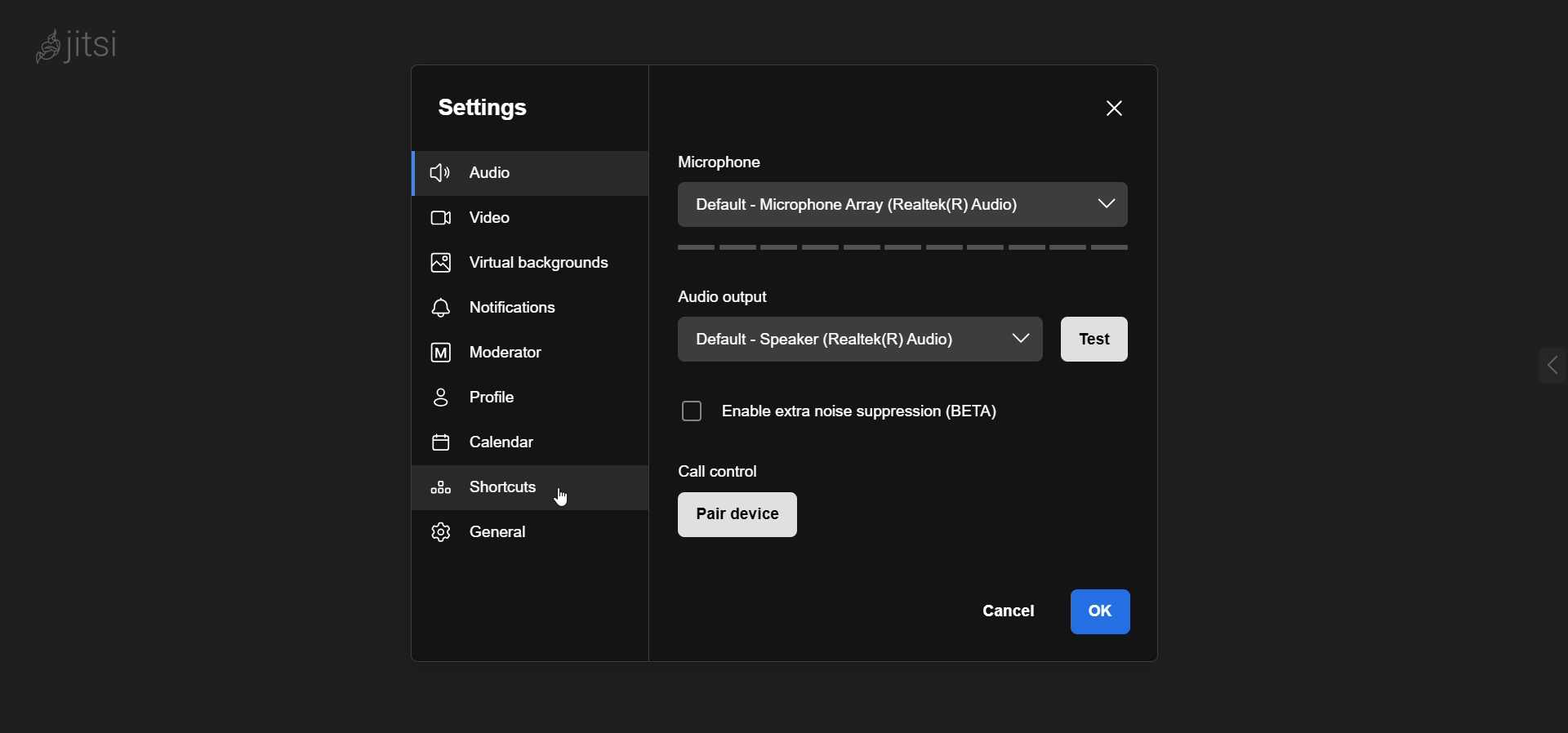  What do you see at coordinates (488, 441) in the screenshot?
I see `calendar` at bounding box center [488, 441].